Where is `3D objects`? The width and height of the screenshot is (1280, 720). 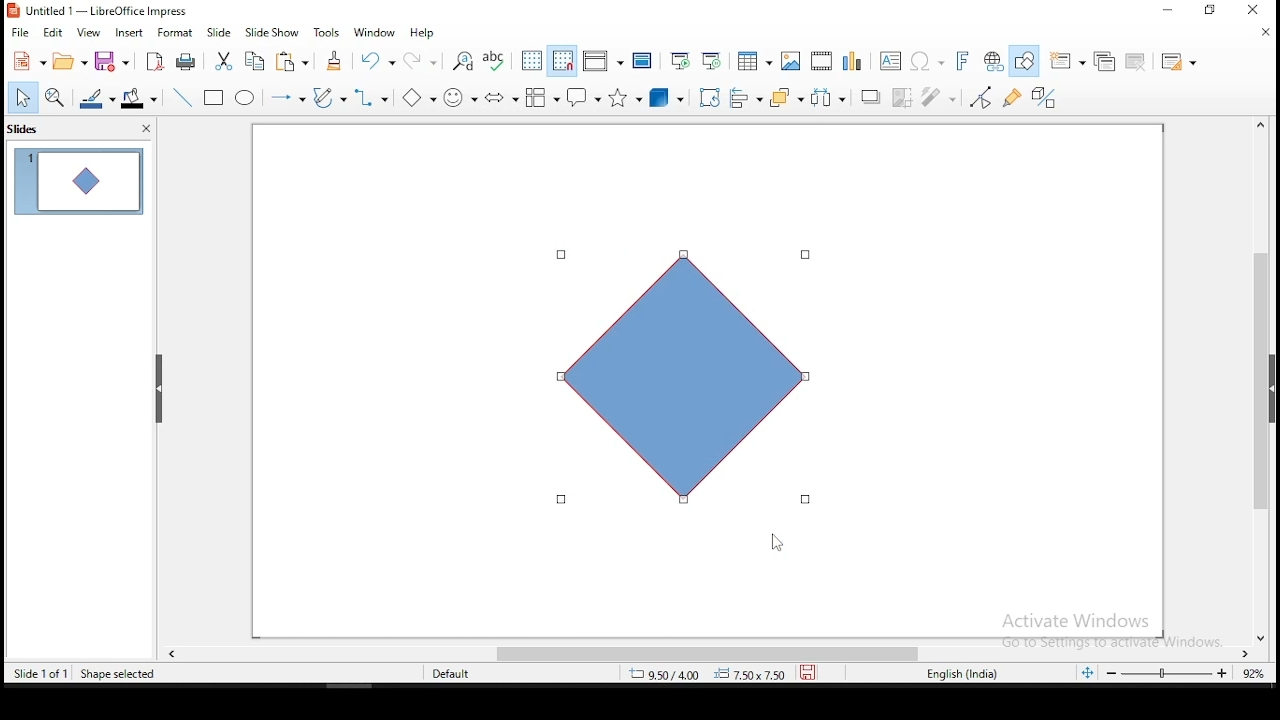
3D objects is located at coordinates (669, 96).